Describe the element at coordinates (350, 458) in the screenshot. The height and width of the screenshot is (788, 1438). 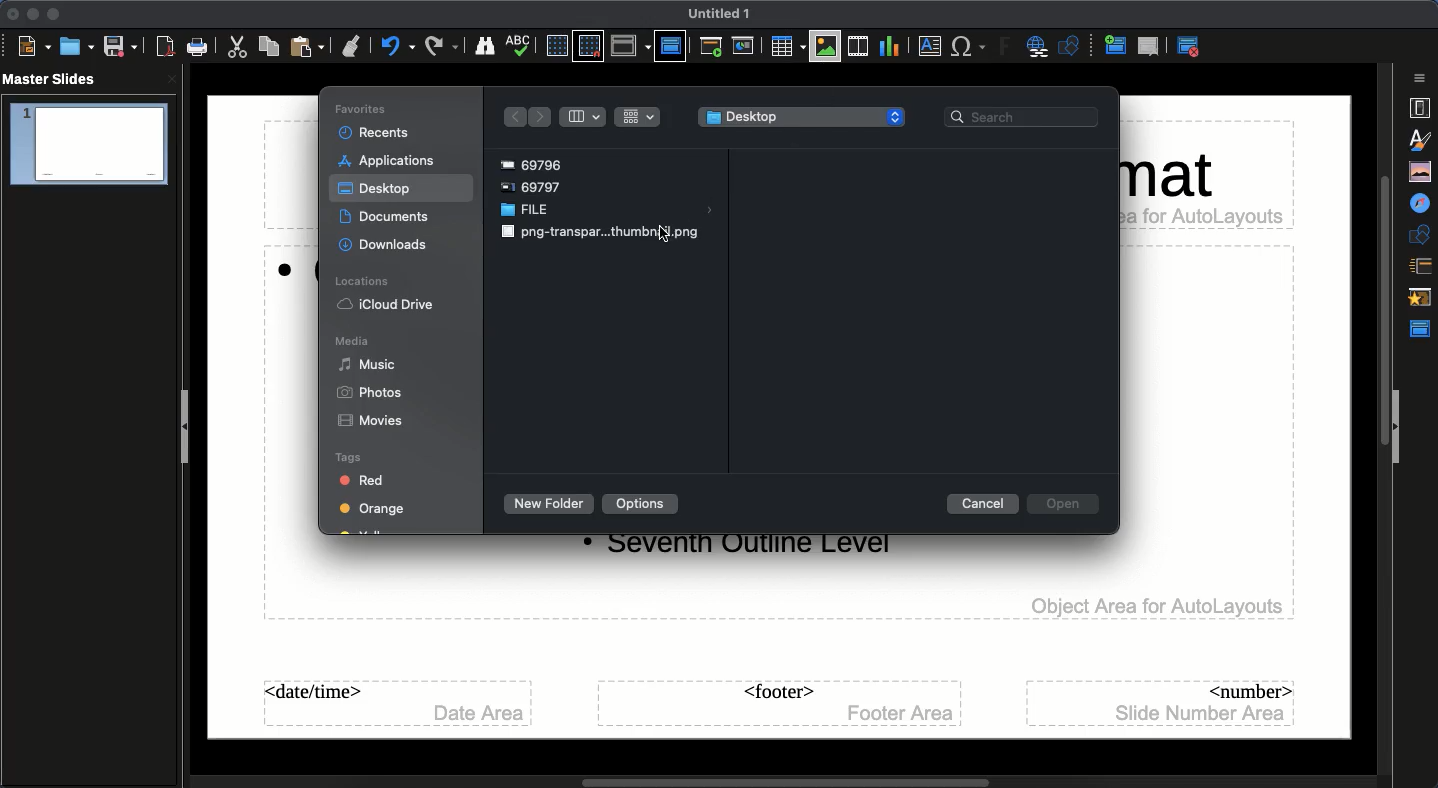
I see `Tags` at that location.